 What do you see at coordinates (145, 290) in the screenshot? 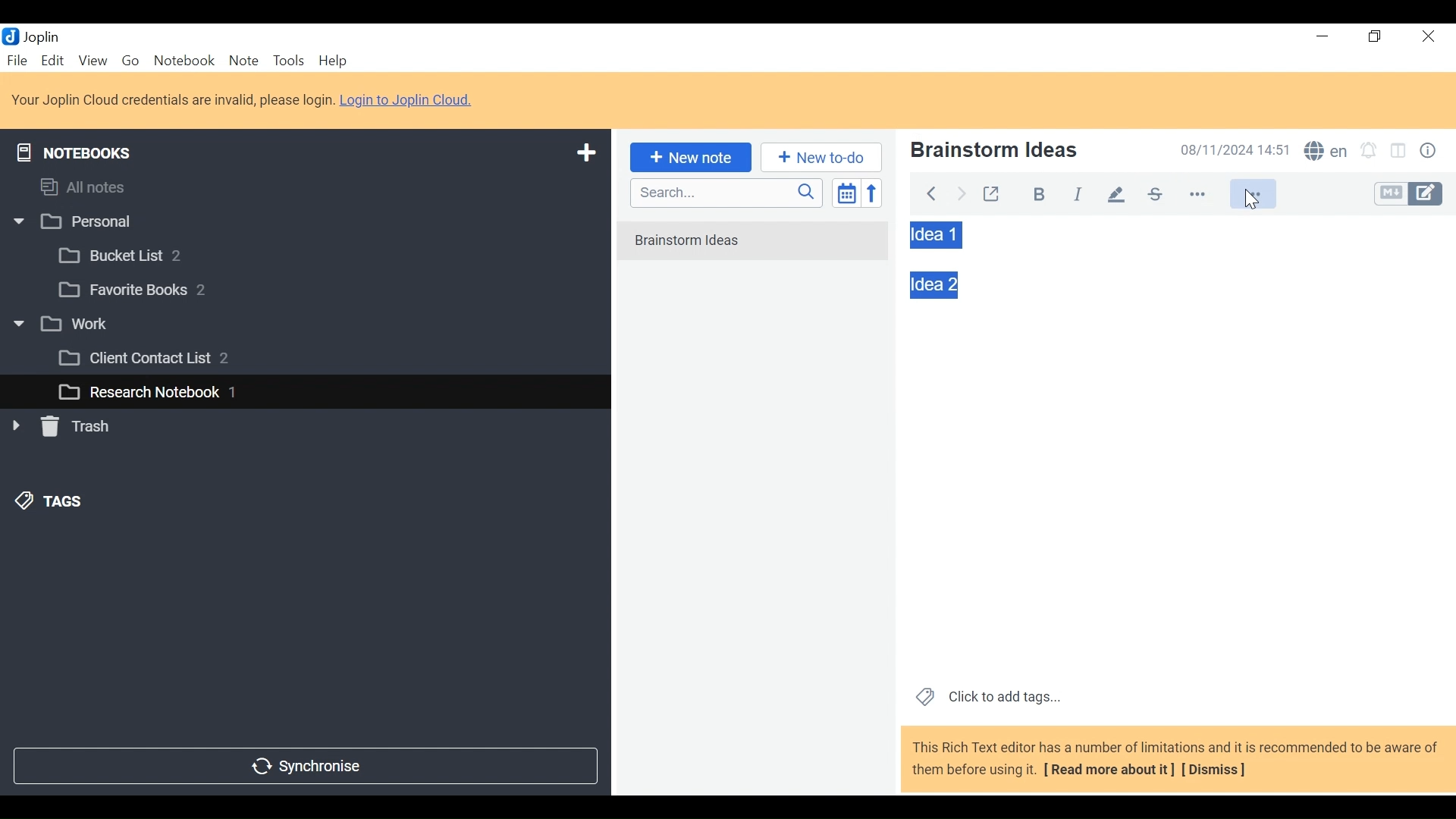
I see `[3 Favorite Books 2` at bounding box center [145, 290].